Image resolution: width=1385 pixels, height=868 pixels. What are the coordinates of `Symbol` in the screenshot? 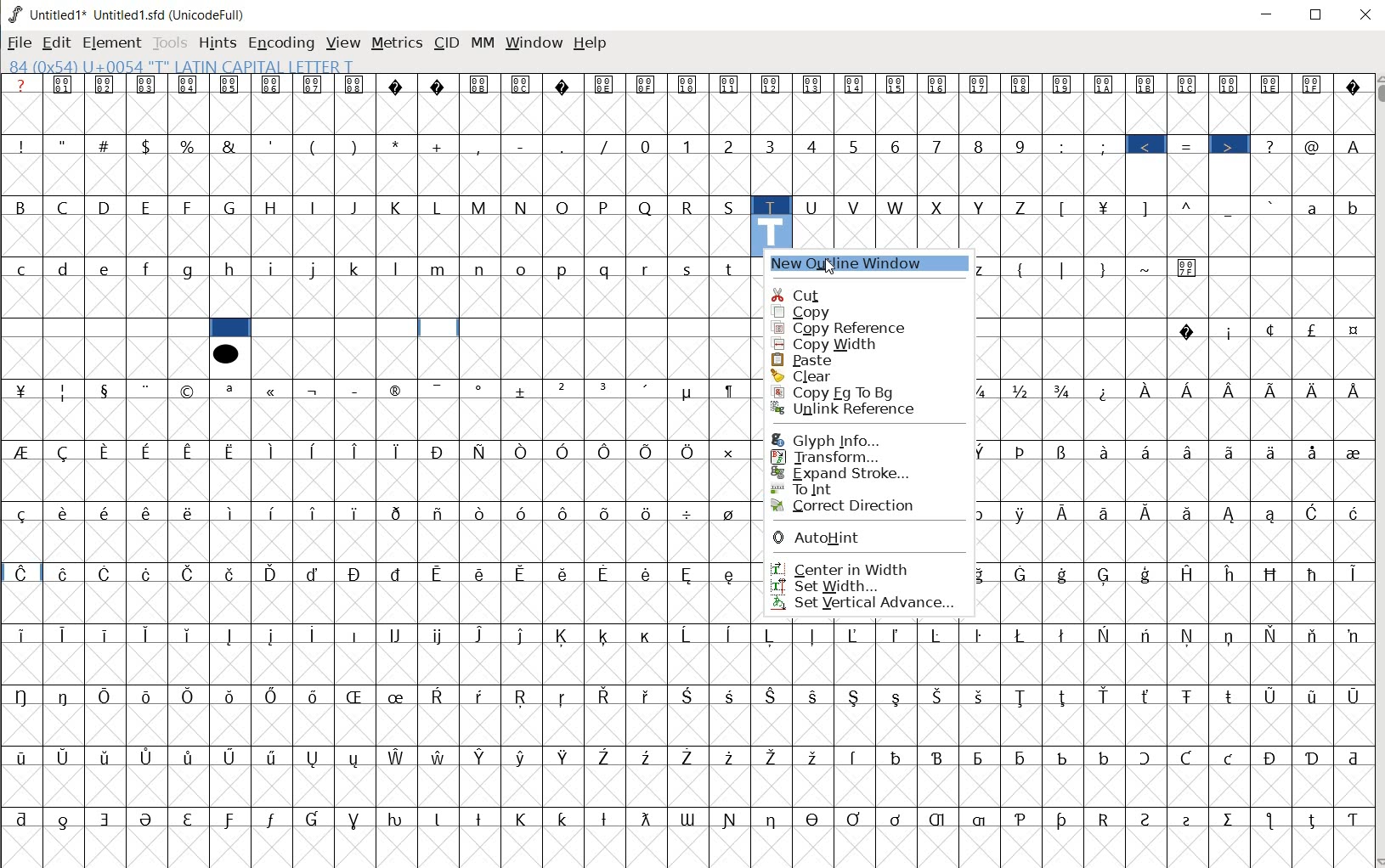 It's located at (1274, 758).